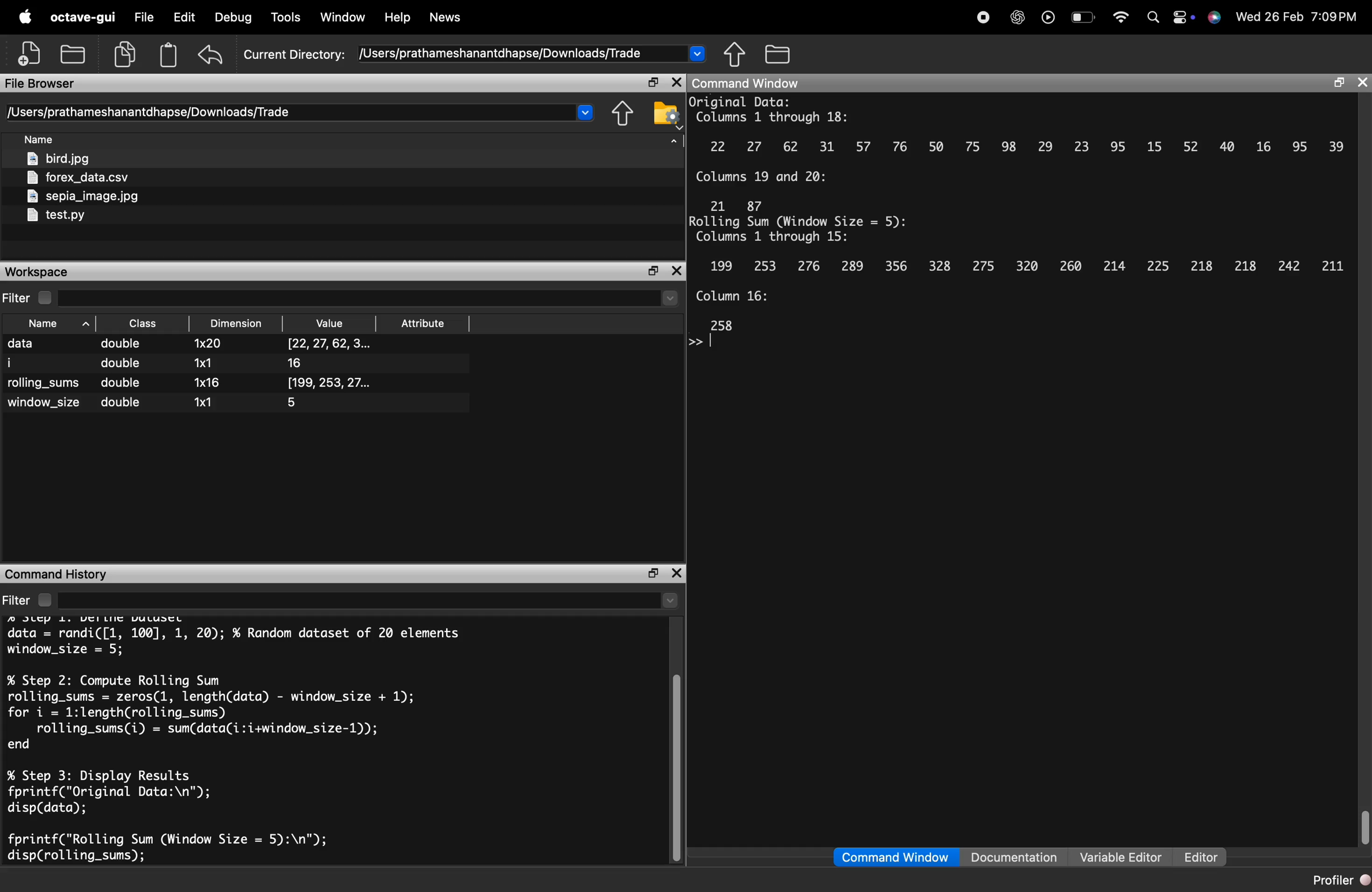 This screenshot has height=892, width=1372. Describe the element at coordinates (47, 373) in the screenshot. I see `name` at that location.